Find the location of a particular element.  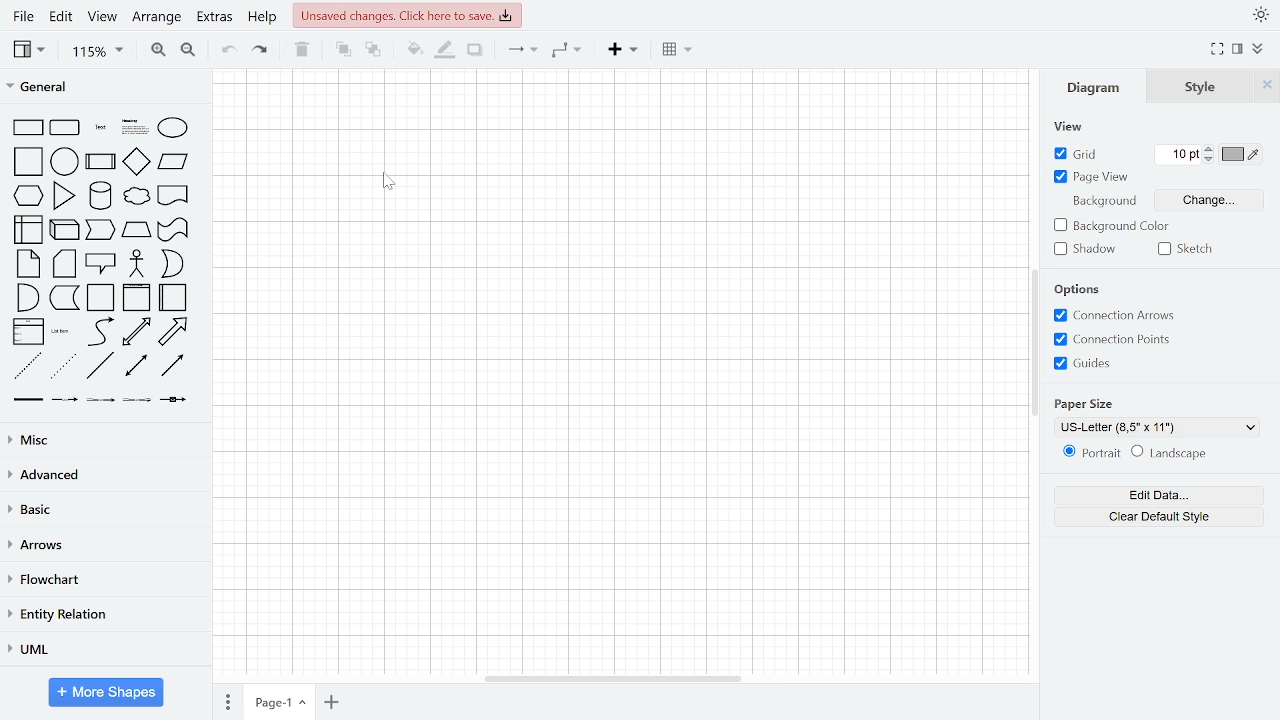

or is located at coordinates (172, 263).